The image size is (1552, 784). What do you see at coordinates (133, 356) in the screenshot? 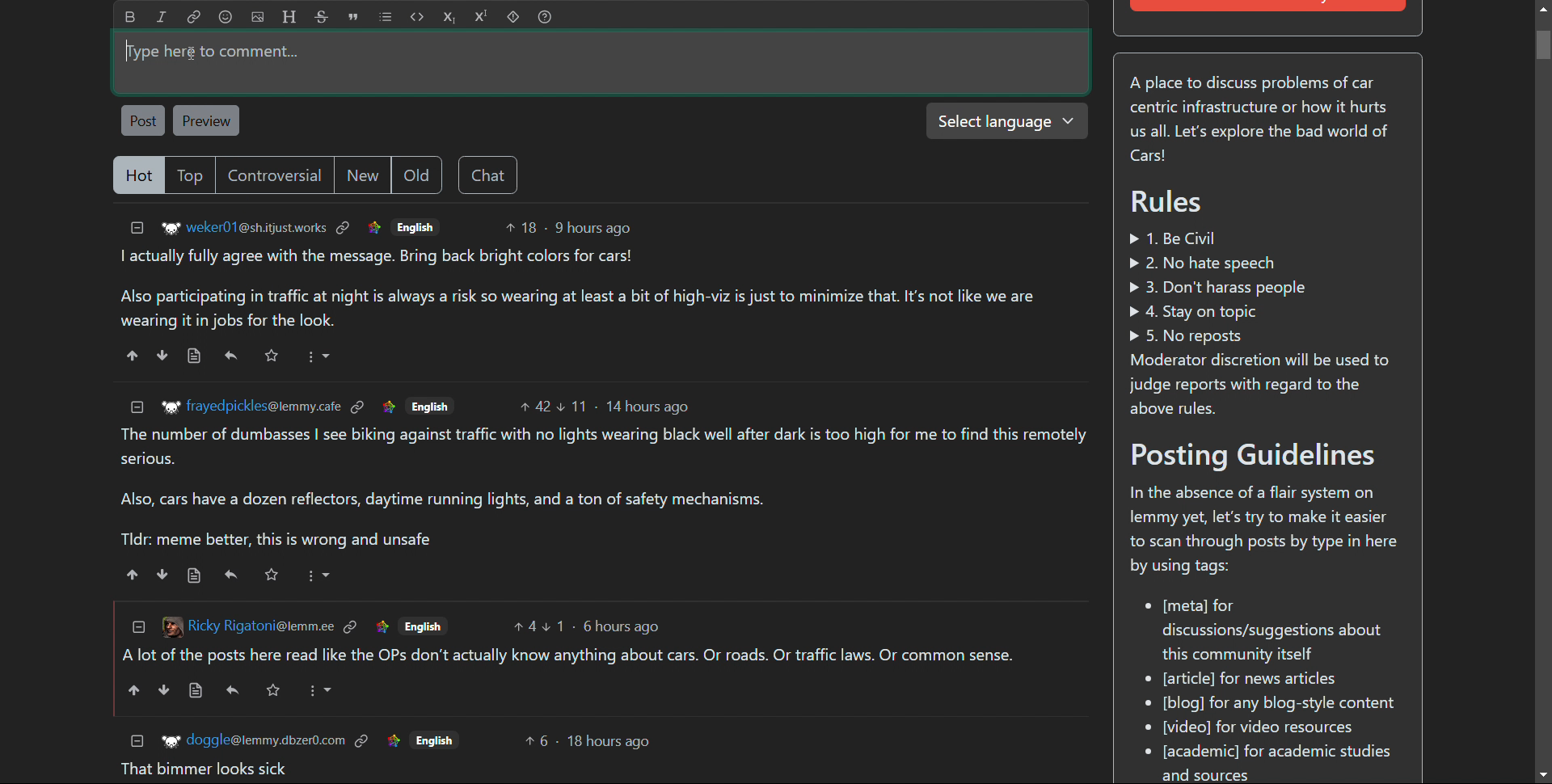
I see `upvote` at bounding box center [133, 356].